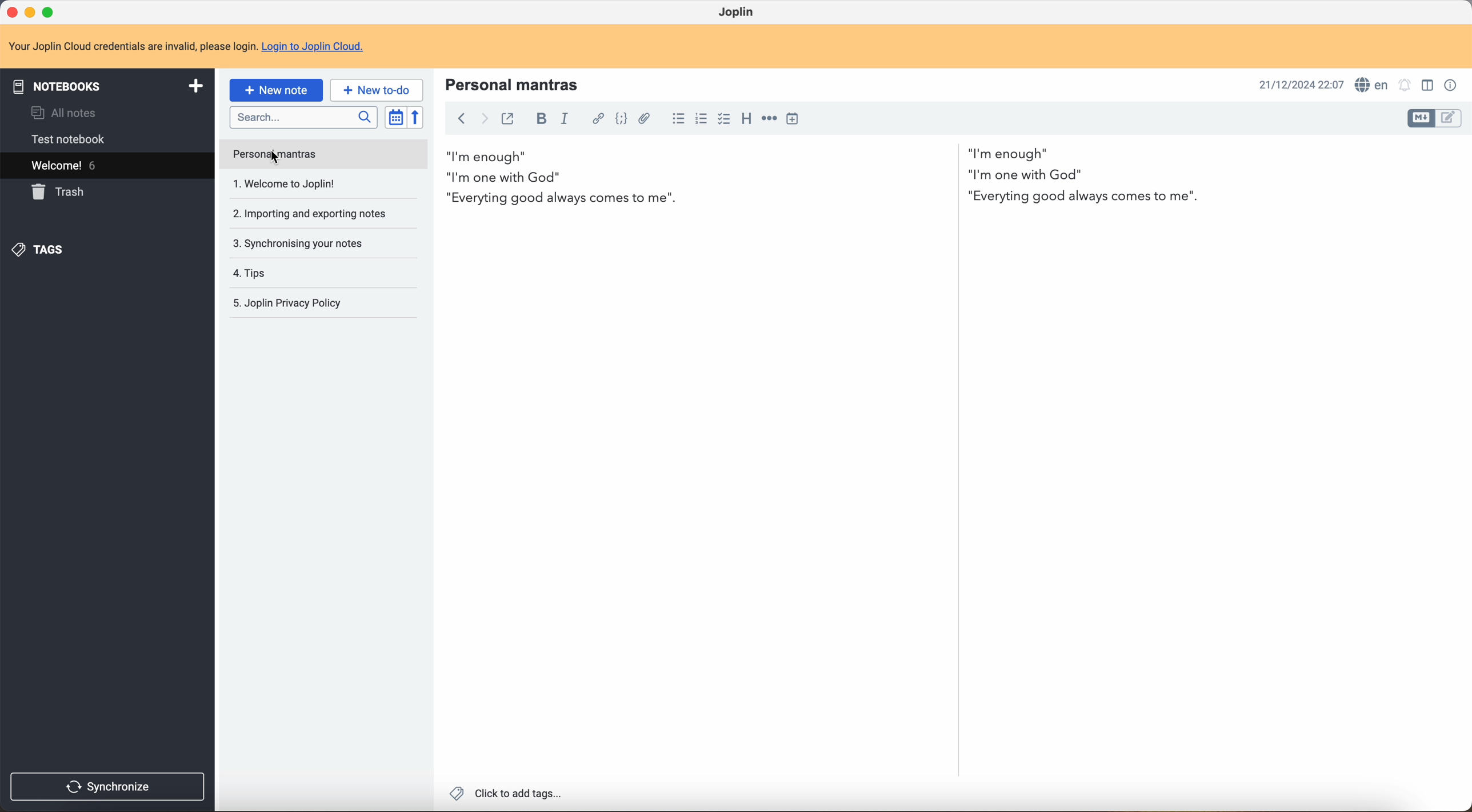  Describe the element at coordinates (129, 46) in the screenshot. I see `note` at that location.